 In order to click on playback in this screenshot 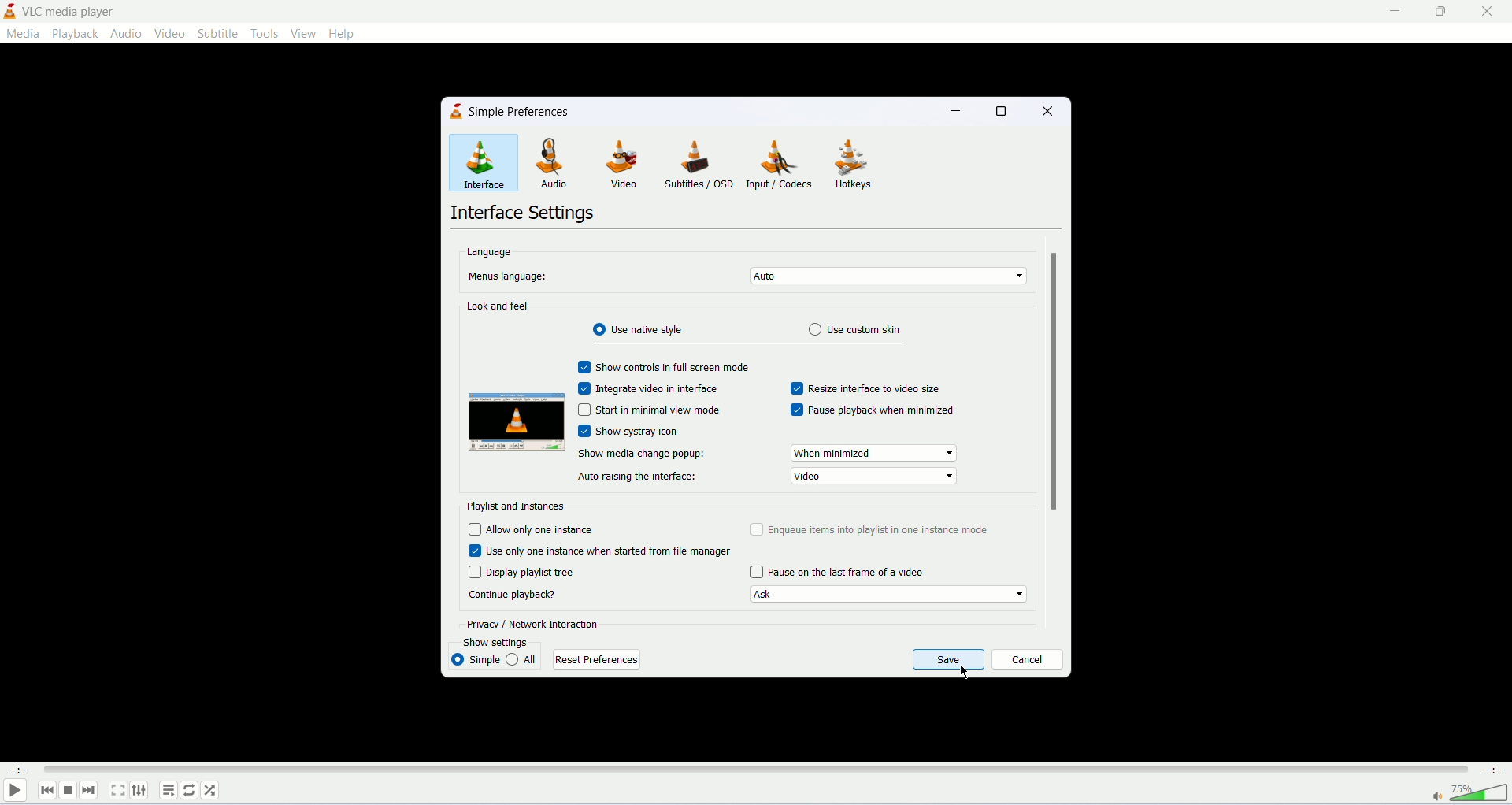, I will do `click(78, 34)`.